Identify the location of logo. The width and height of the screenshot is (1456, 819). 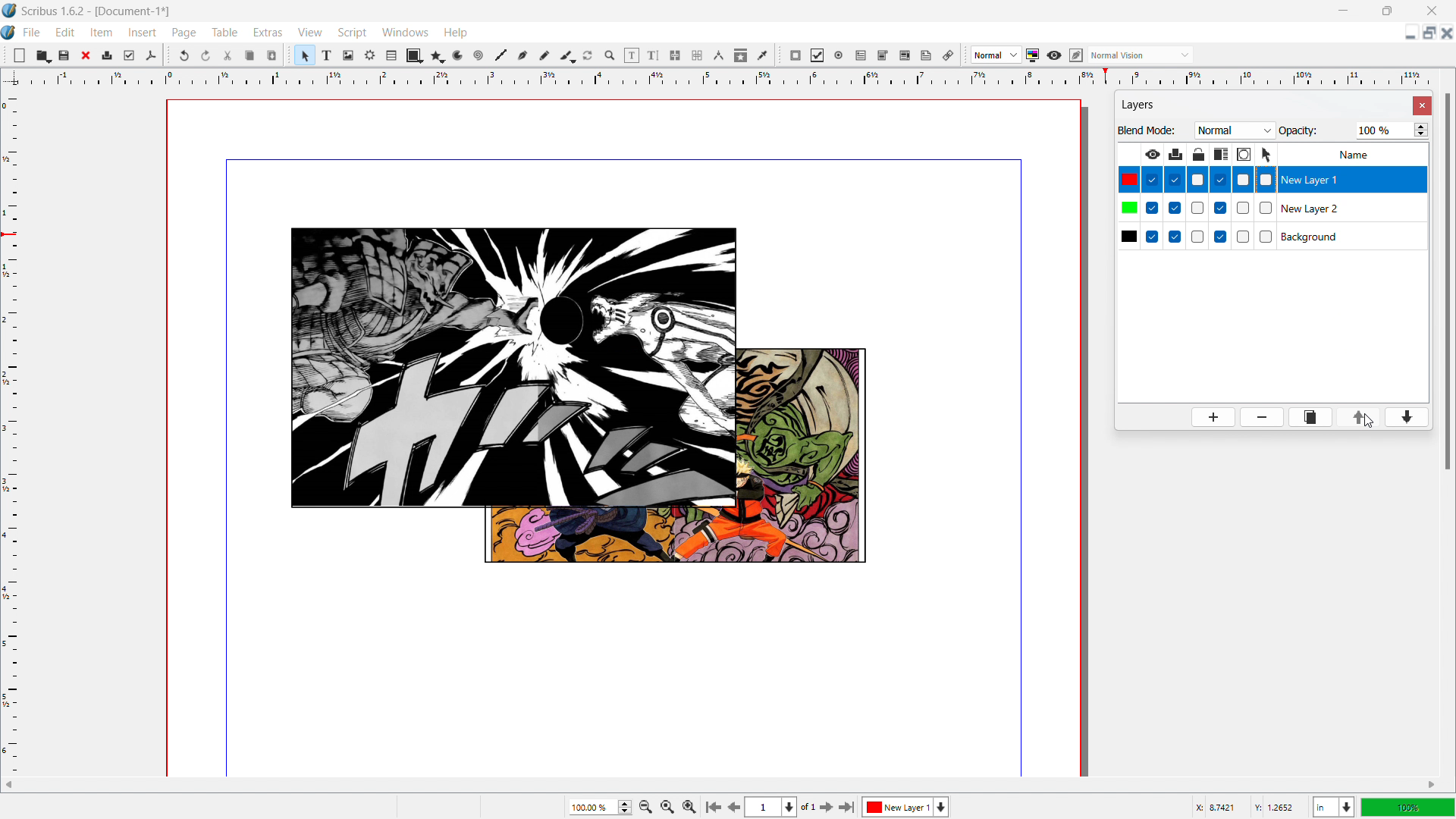
(9, 11).